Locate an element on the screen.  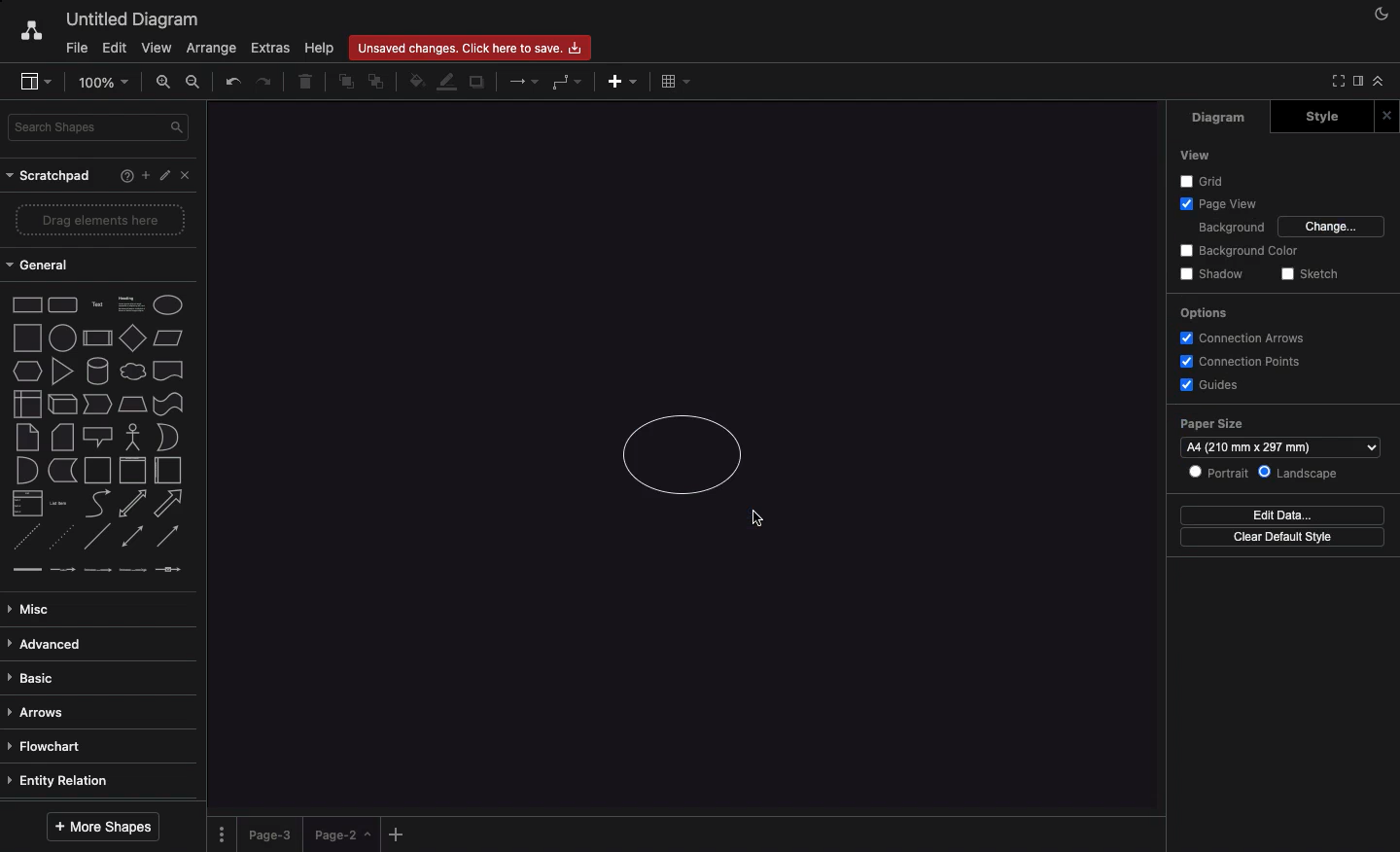
100% - Zoom is located at coordinates (106, 82).